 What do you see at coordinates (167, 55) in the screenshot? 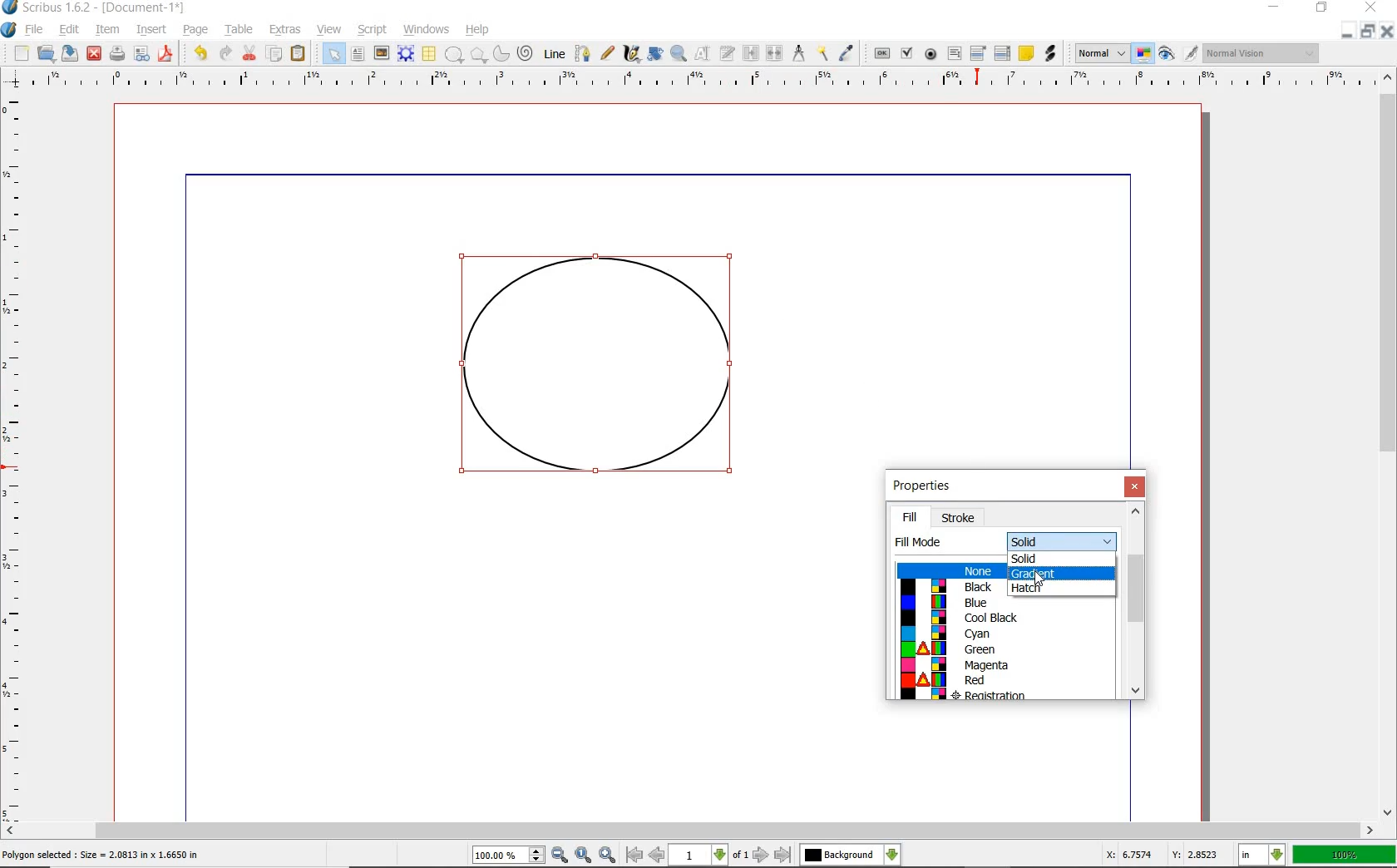
I see `SAVE AS PDF` at bounding box center [167, 55].